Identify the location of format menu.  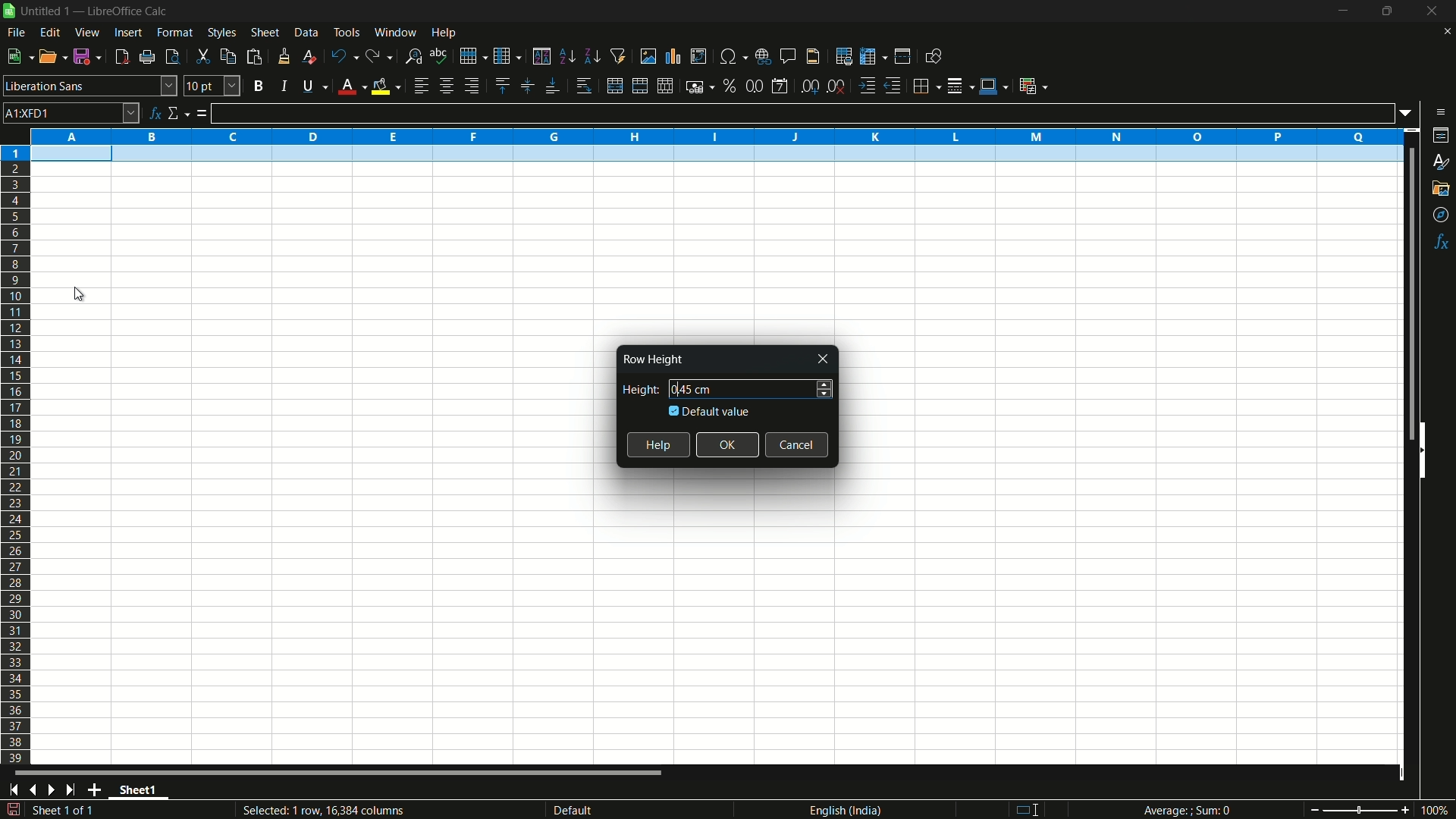
(175, 33).